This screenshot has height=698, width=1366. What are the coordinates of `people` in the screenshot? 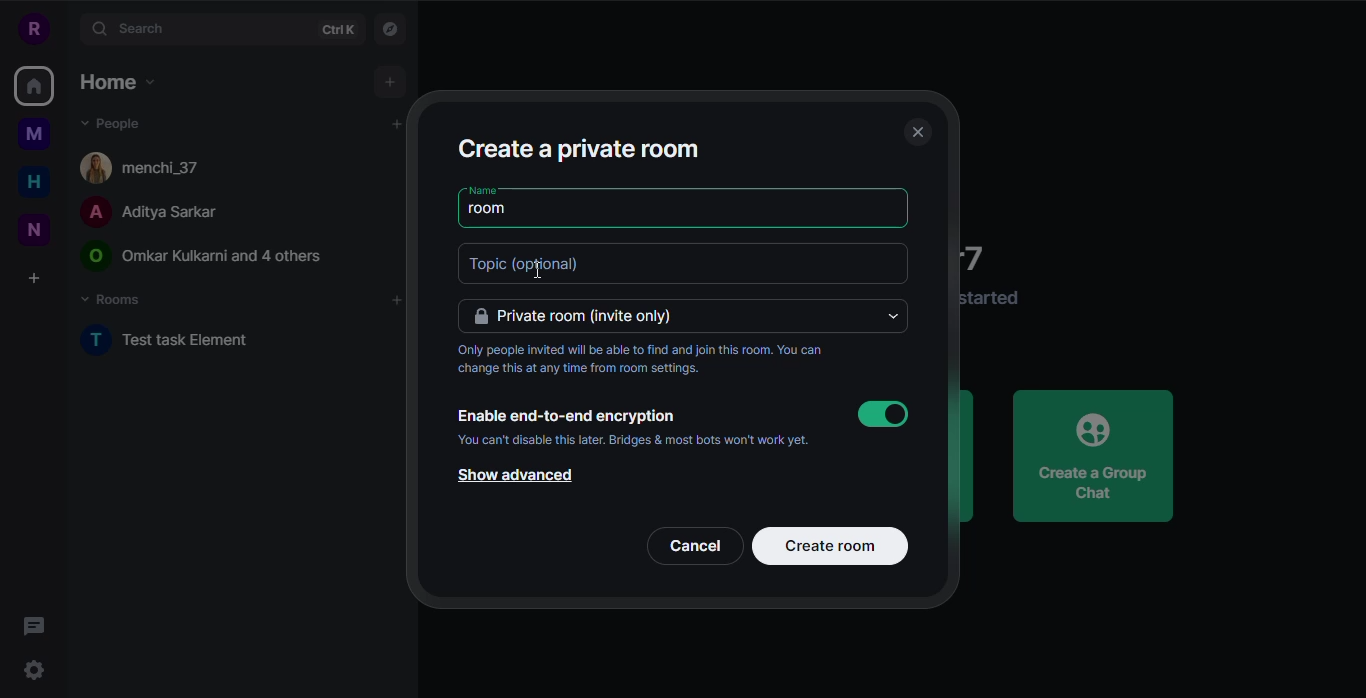 It's located at (151, 165).